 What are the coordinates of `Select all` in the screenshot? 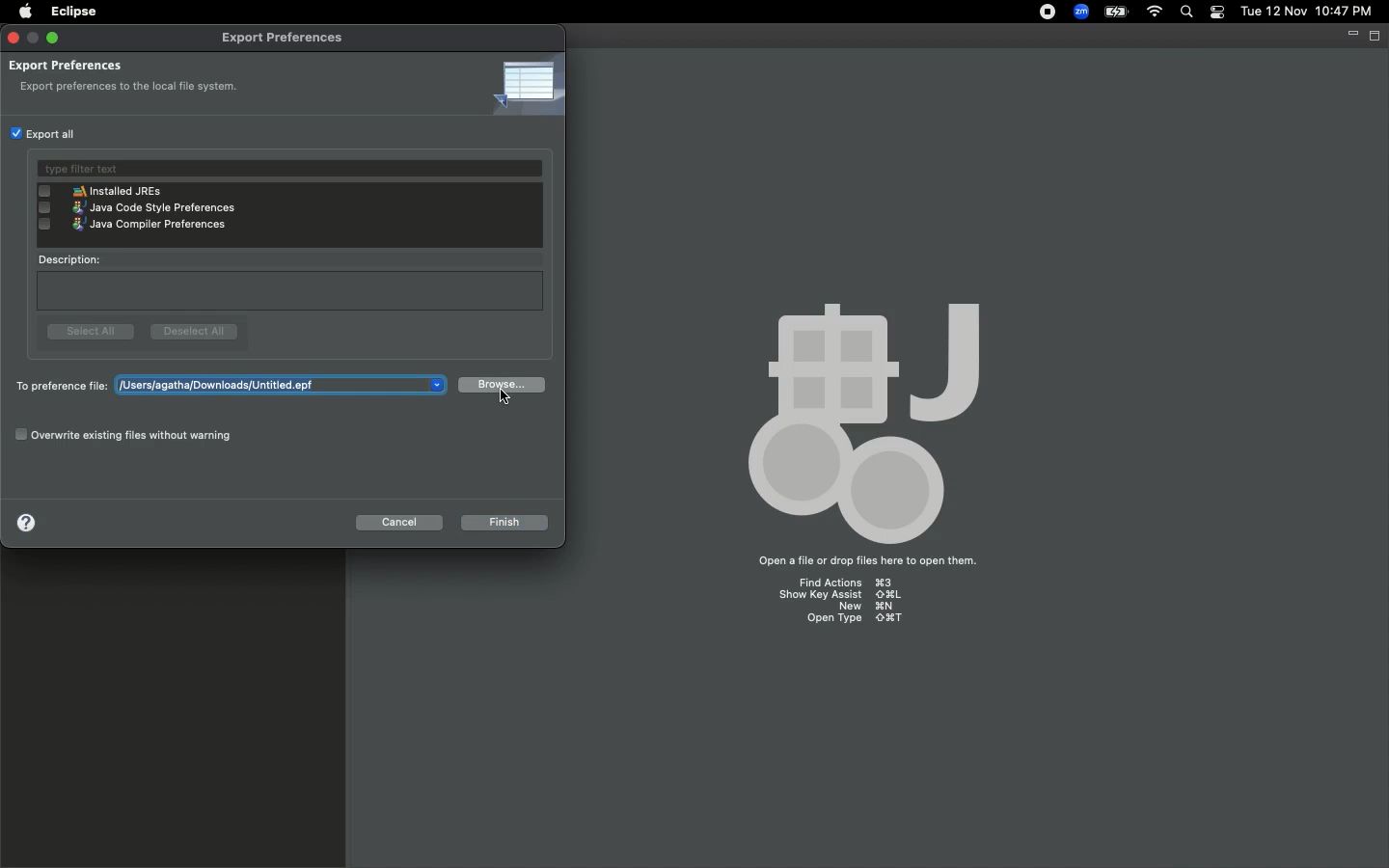 It's located at (91, 331).